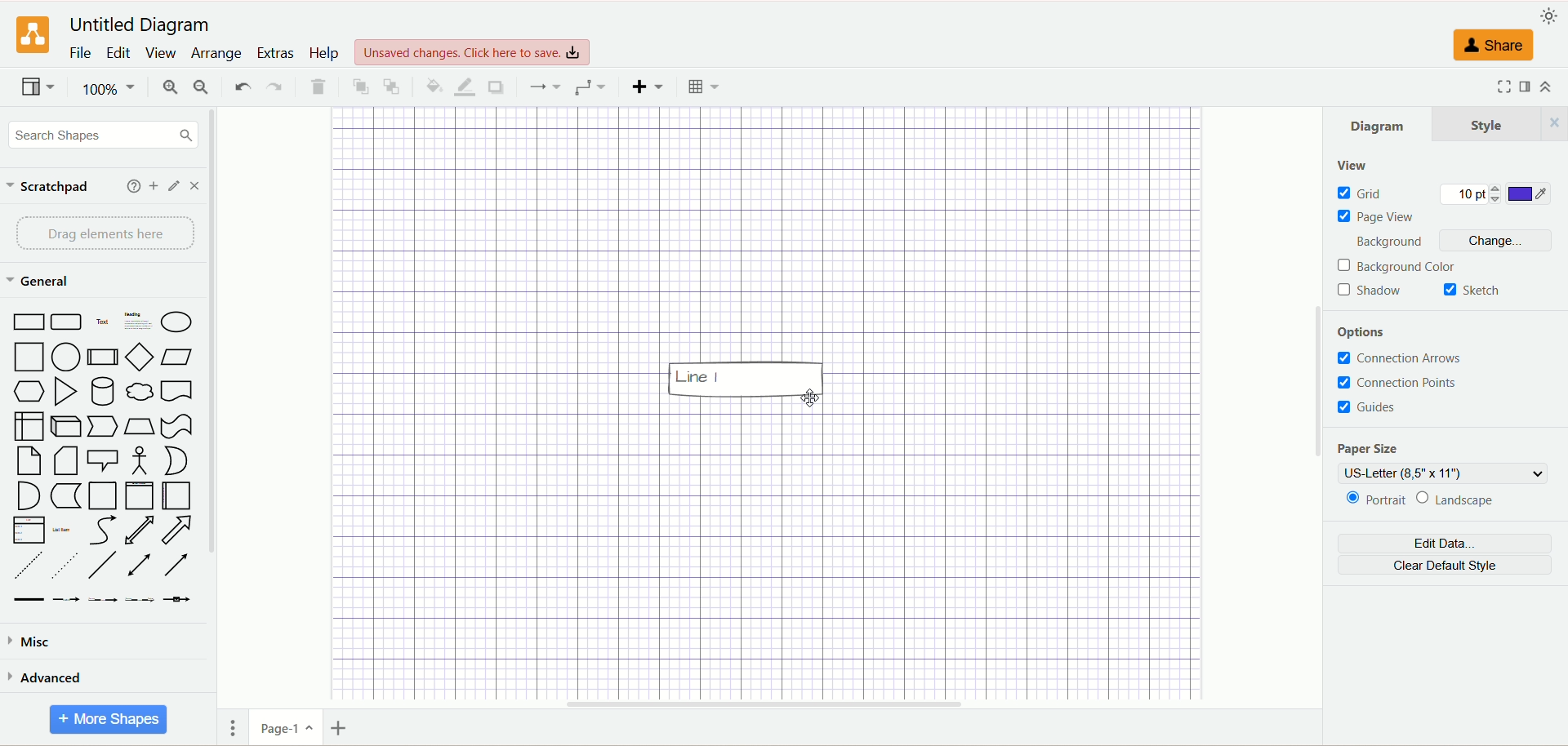 Image resolution: width=1568 pixels, height=746 pixels. What do you see at coordinates (239, 87) in the screenshot?
I see `undo` at bounding box center [239, 87].